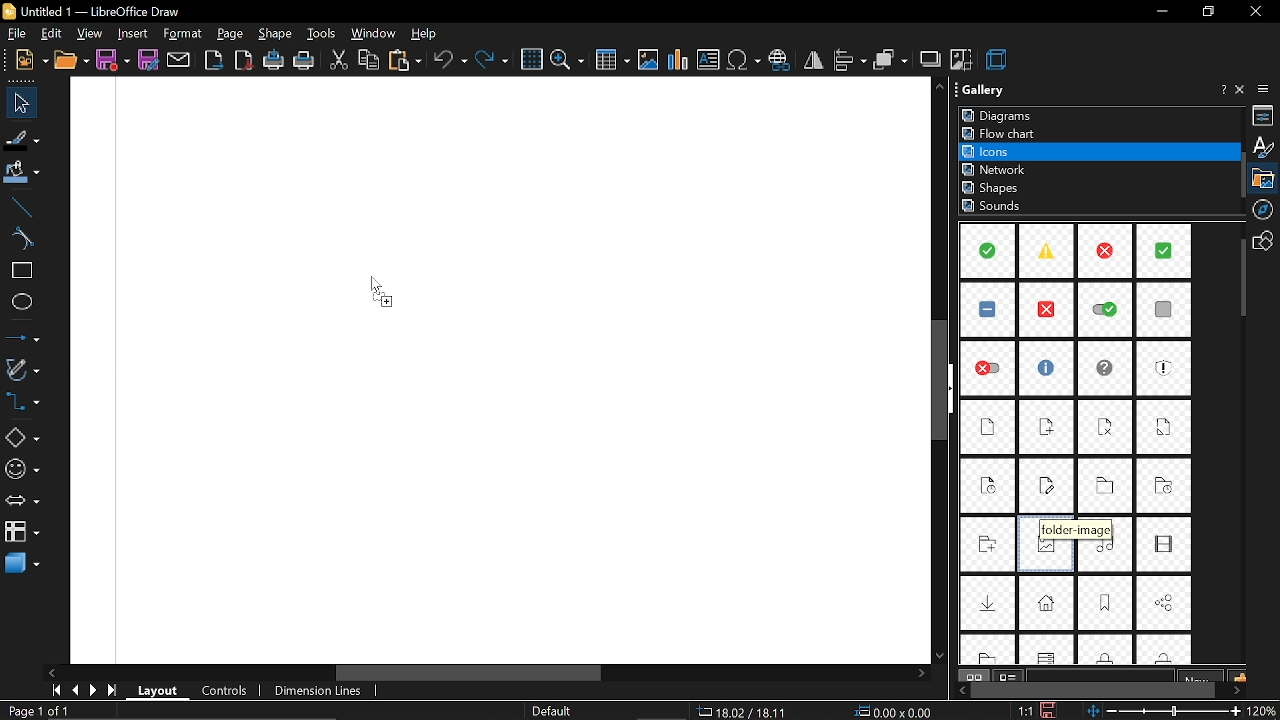 This screenshot has height=720, width=1280. I want to click on Page 1 of 1, so click(41, 711).